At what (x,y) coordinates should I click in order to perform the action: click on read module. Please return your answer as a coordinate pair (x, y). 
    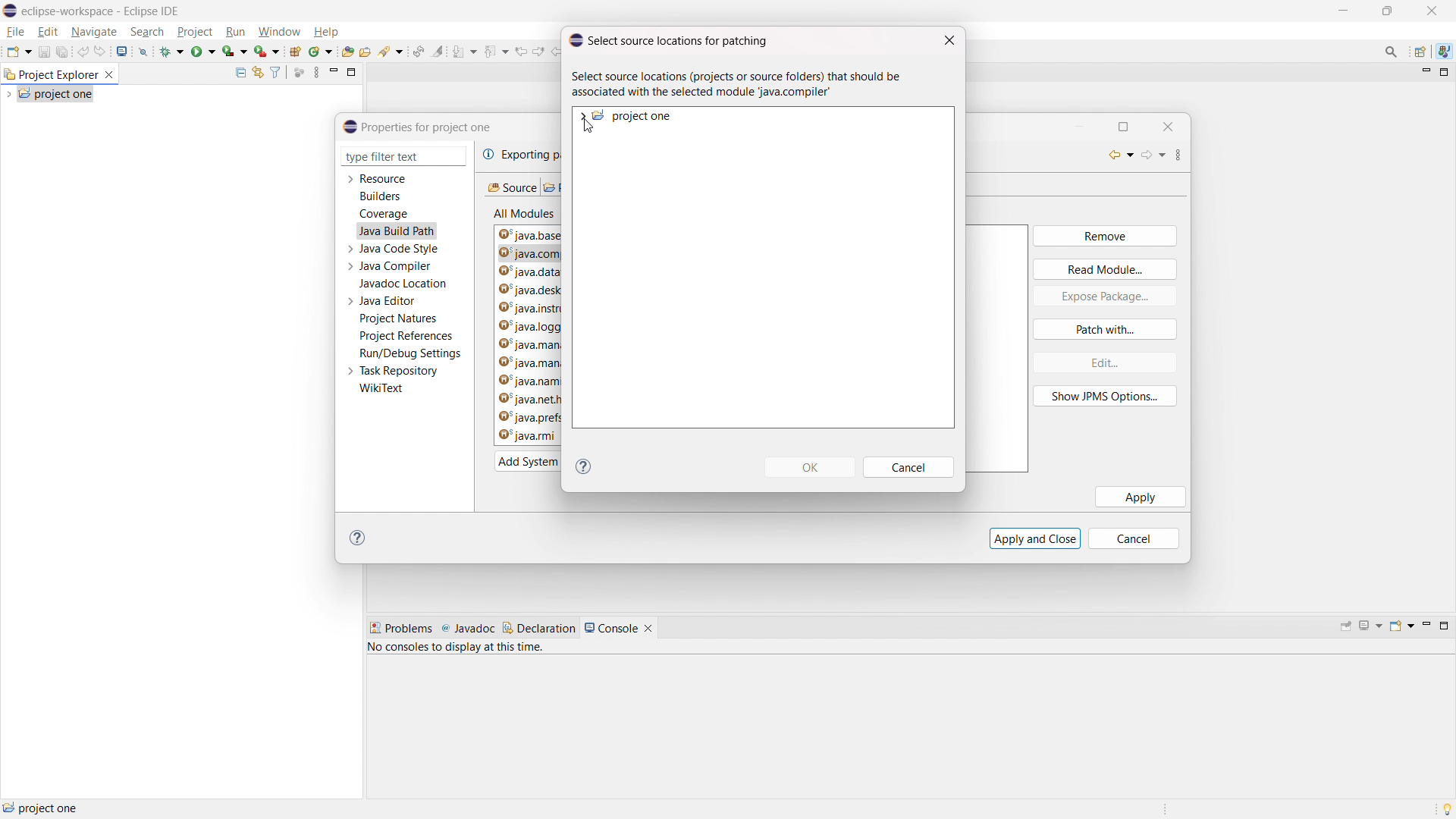
    Looking at the image, I should click on (1105, 268).